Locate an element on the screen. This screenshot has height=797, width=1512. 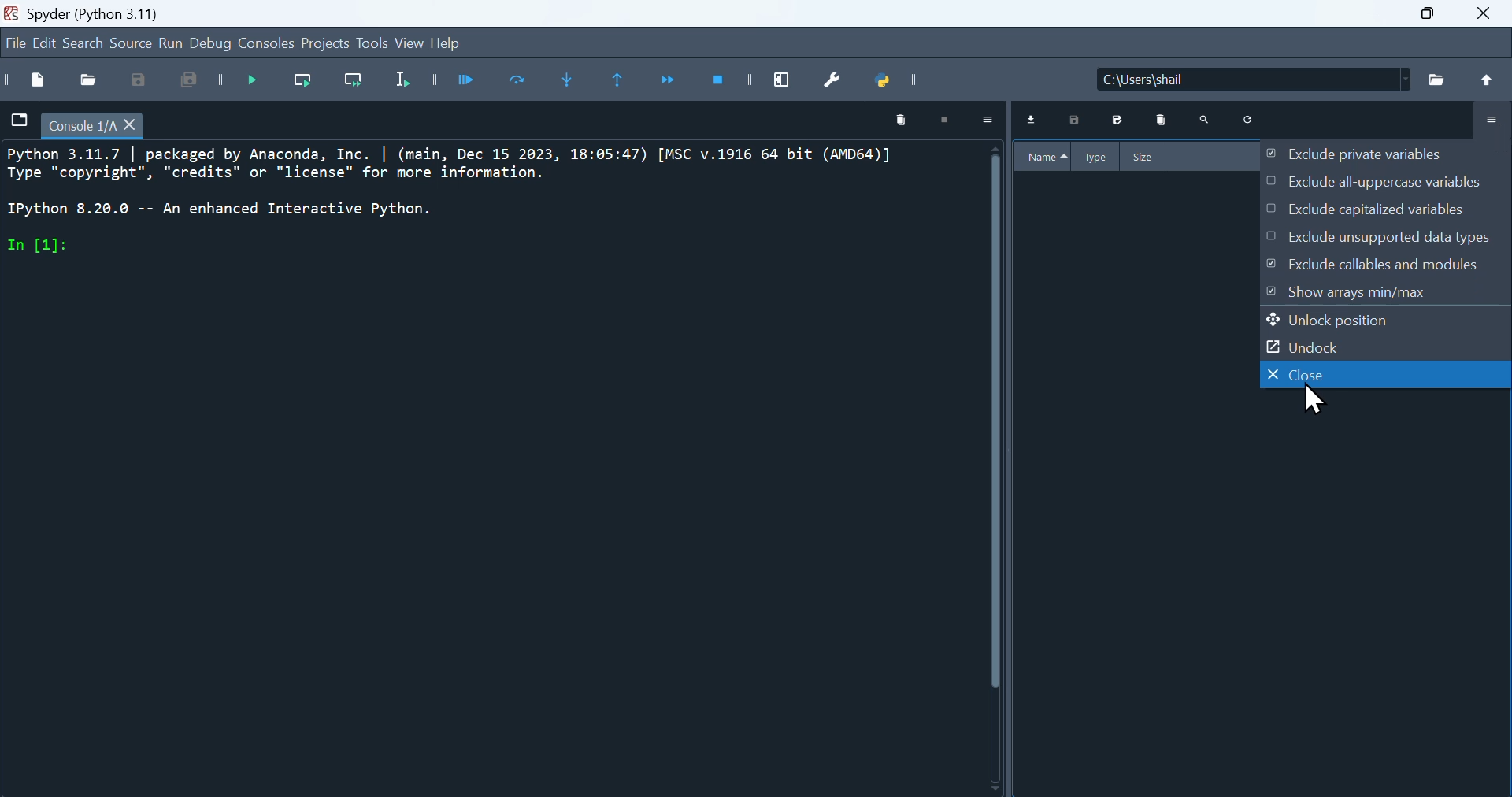
Size is located at coordinates (1146, 156).